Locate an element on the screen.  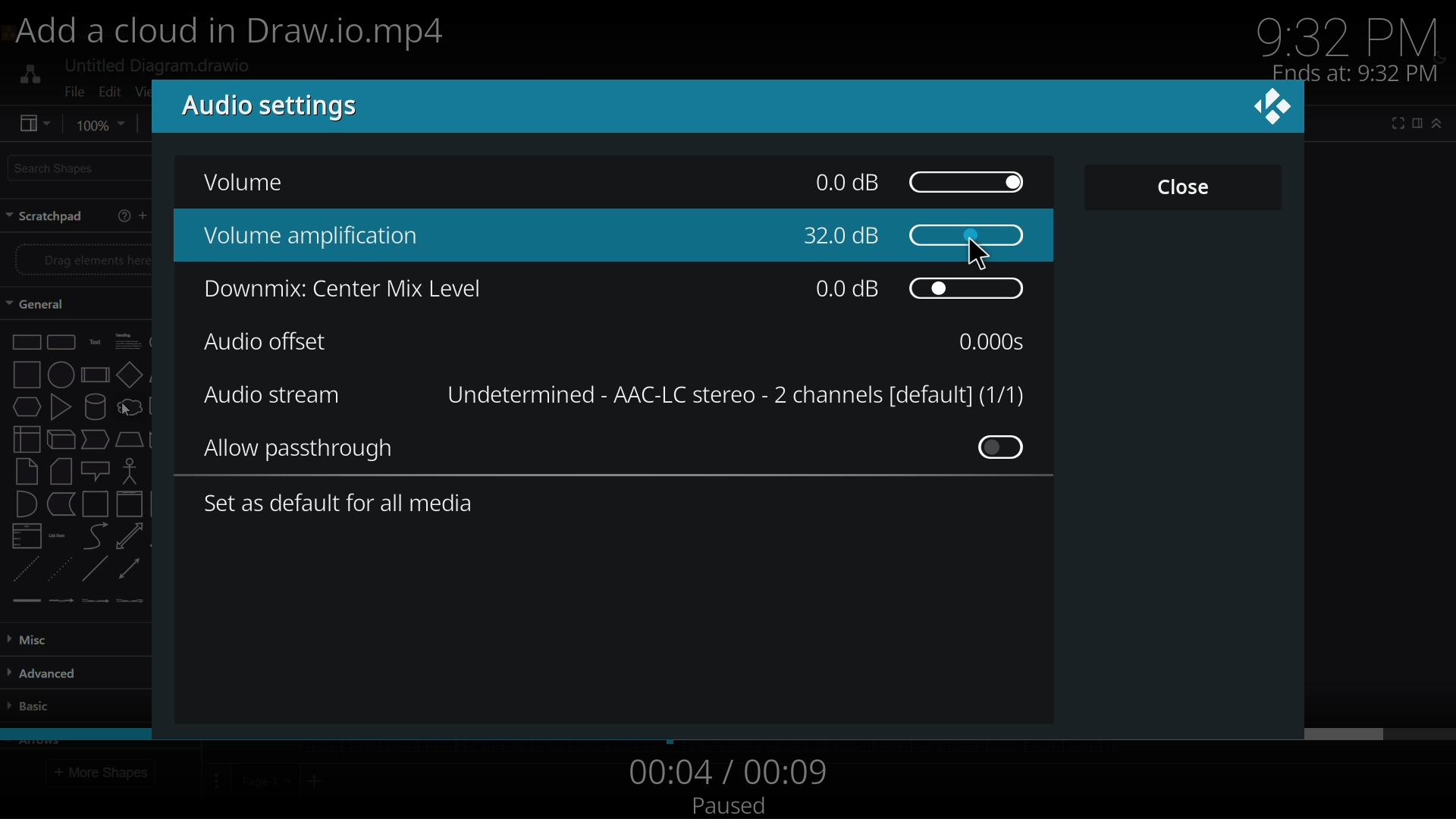
00:04 / 00:09 is located at coordinates (725, 772).